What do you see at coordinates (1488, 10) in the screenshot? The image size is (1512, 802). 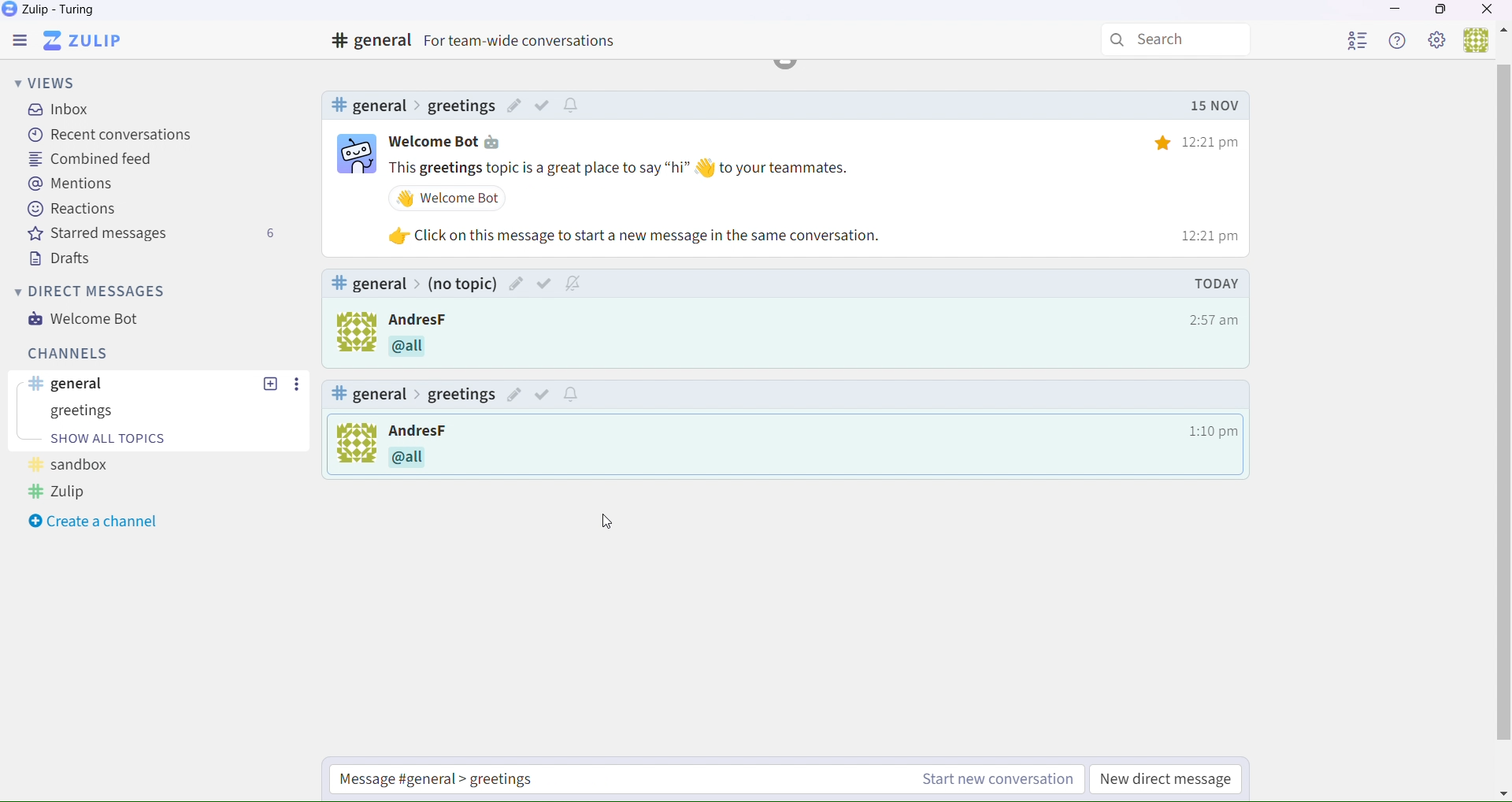 I see `Close` at bounding box center [1488, 10].